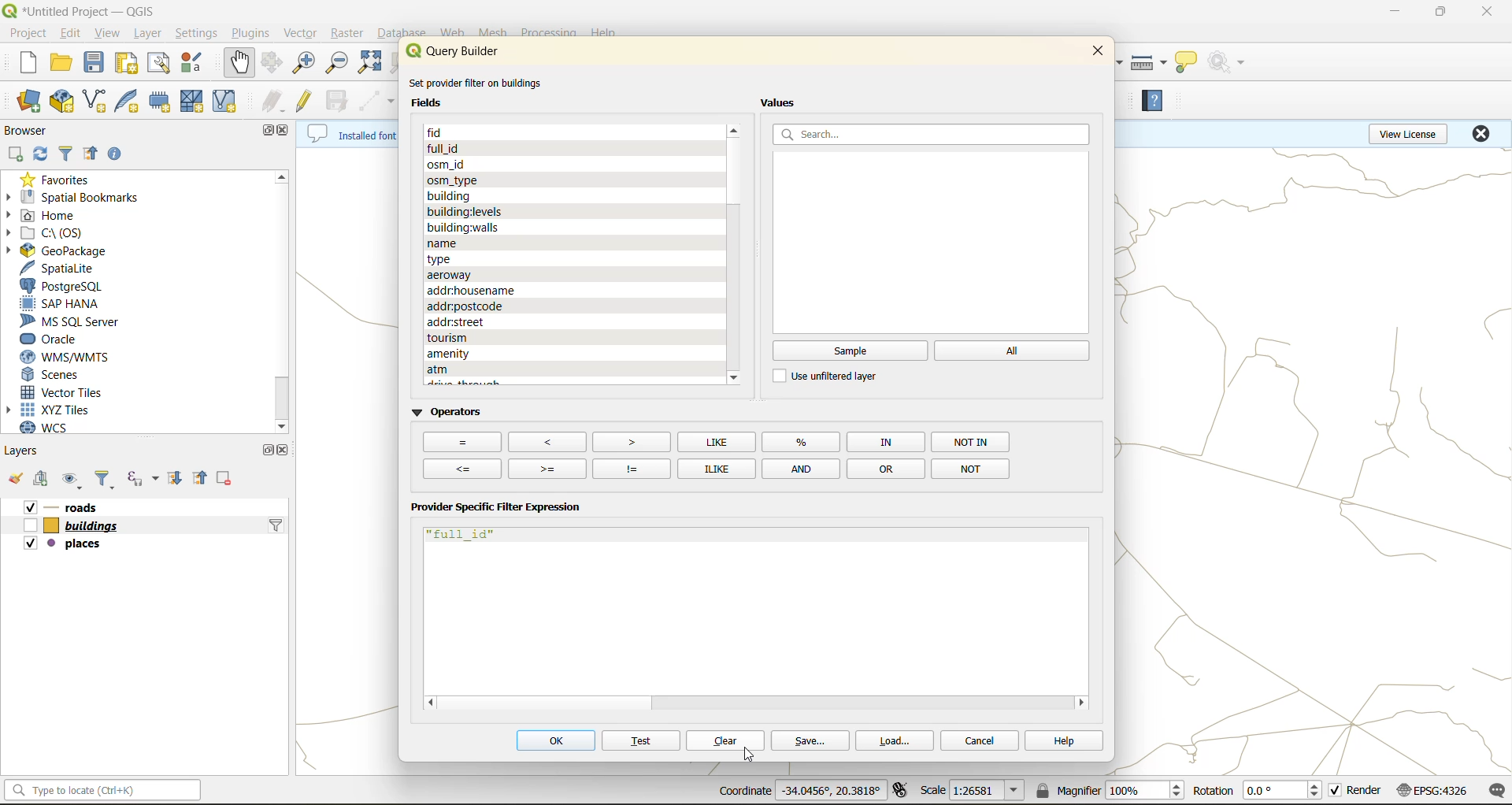 The width and height of the screenshot is (1512, 805). I want to click on log messages, so click(1492, 790).